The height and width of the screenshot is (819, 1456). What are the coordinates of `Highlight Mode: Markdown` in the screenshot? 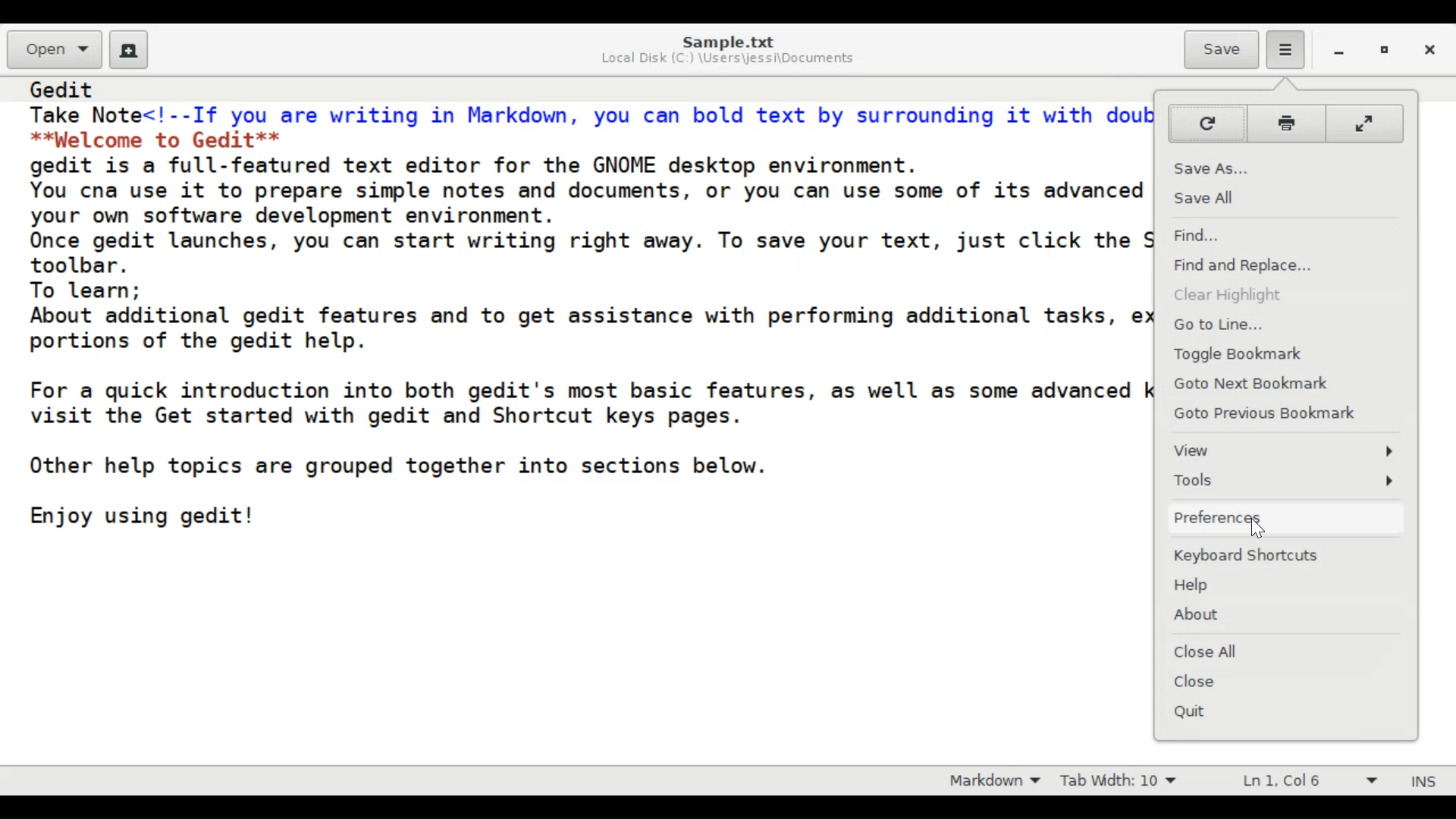 It's located at (1000, 780).